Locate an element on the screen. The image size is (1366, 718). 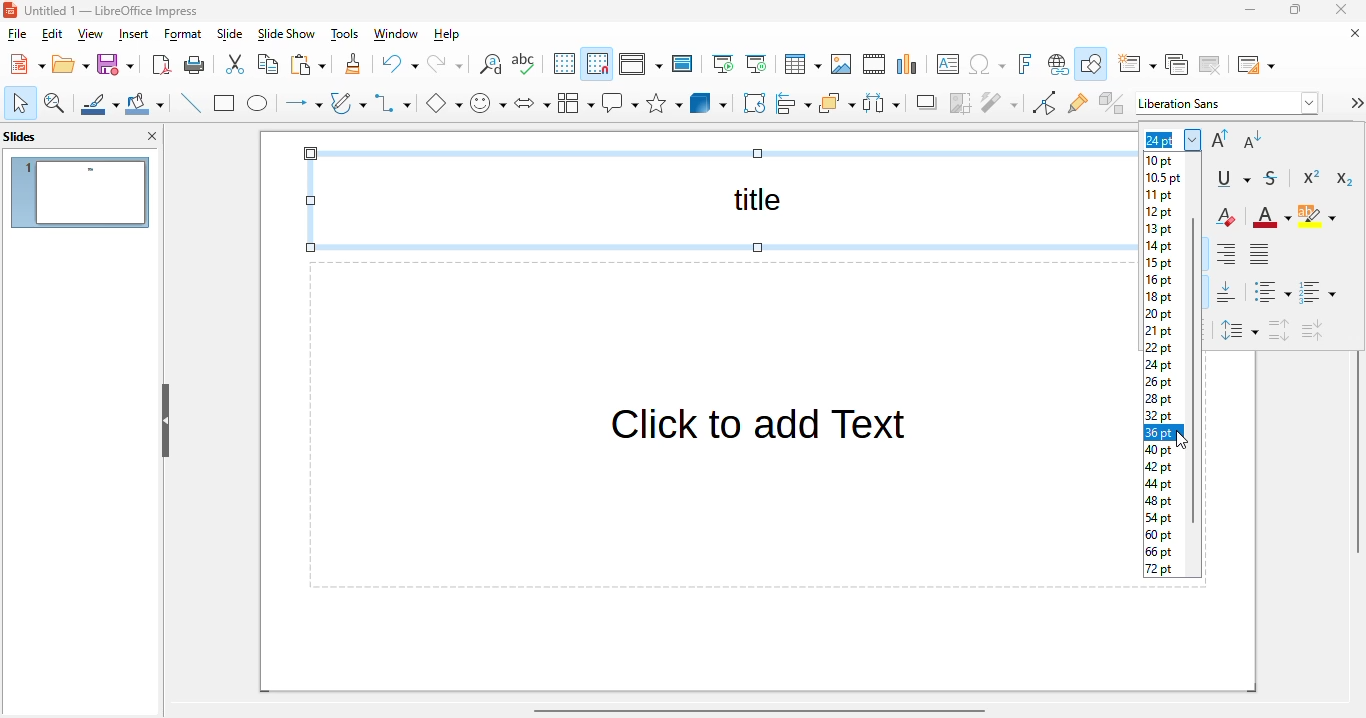
paste is located at coordinates (308, 65).